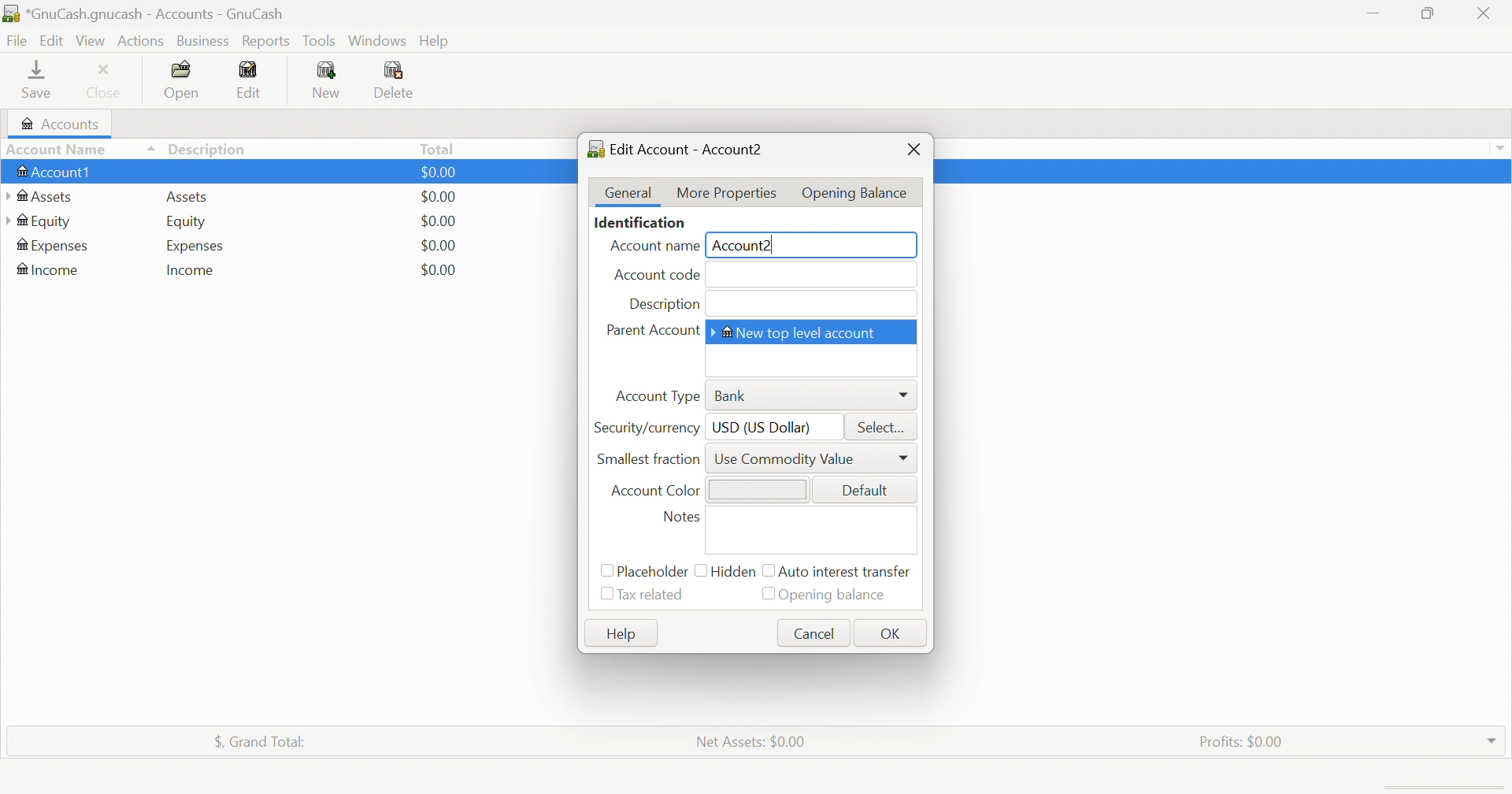 The image size is (1512, 794). Describe the element at coordinates (50, 269) in the screenshot. I see `Income` at that location.